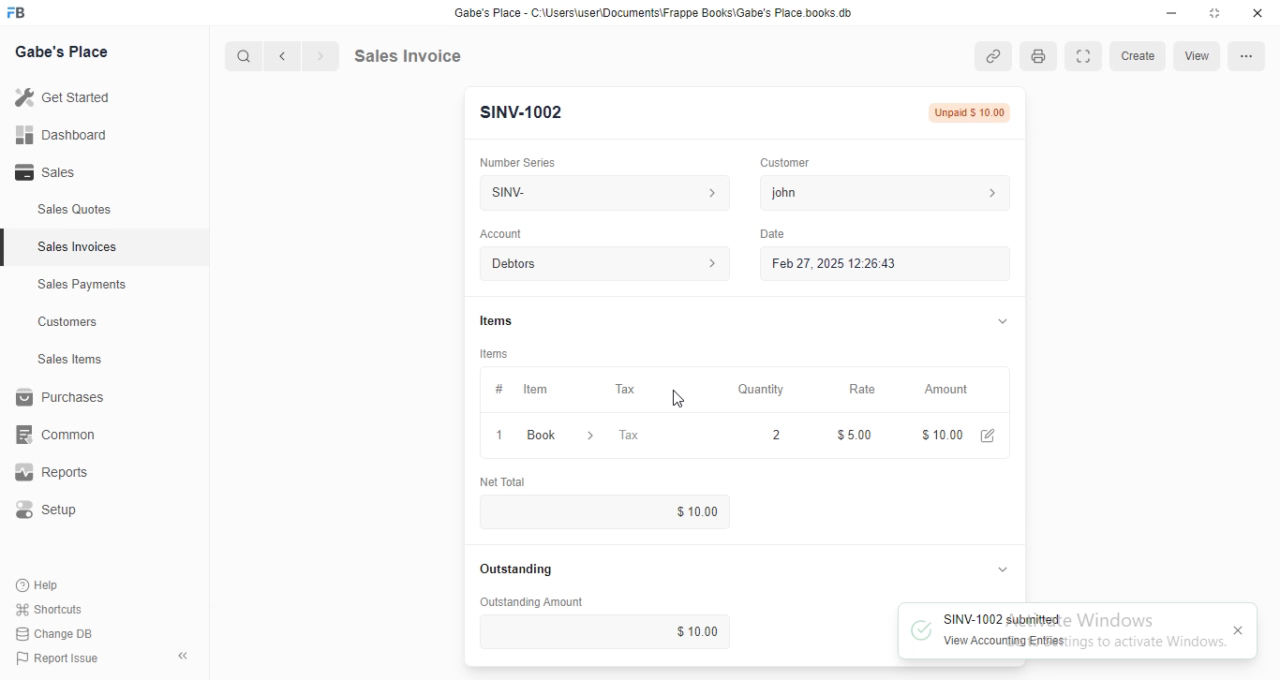 The height and width of the screenshot is (680, 1280). Describe the element at coordinates (994, 57) in the screenshot. I see `Attachment` at that location.